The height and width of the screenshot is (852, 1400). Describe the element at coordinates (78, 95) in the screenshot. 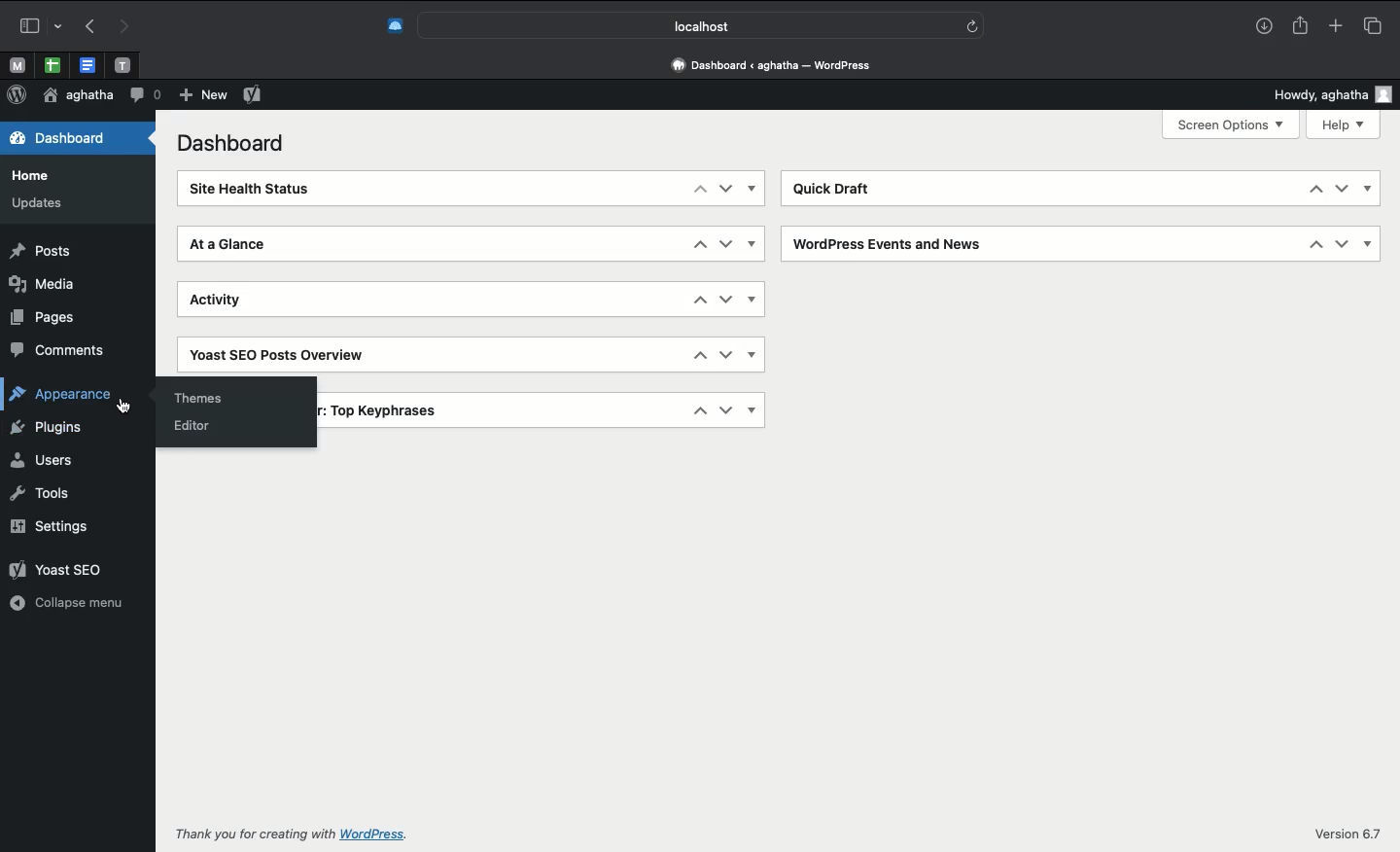

I see `User` at that location.